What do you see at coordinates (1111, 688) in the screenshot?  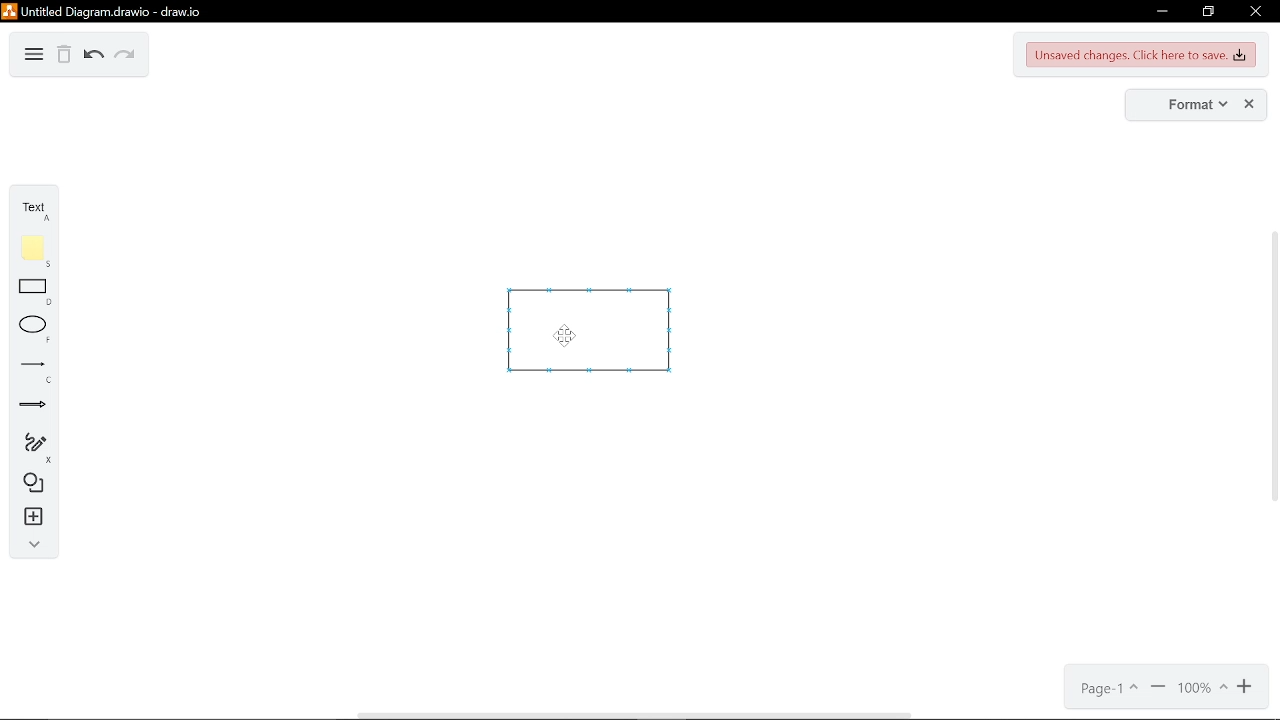 I see `page` at bounding box center [1111, 688].